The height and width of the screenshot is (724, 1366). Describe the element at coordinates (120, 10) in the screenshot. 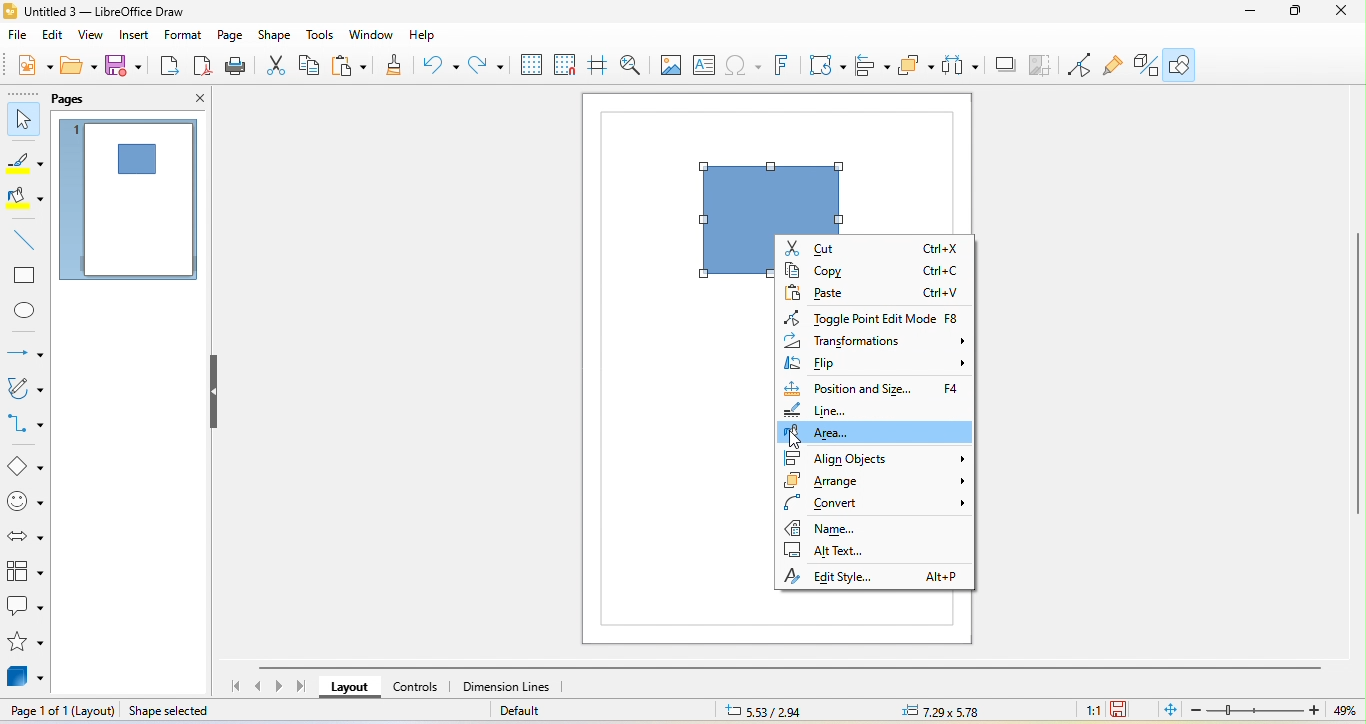

I see `title` at that location.